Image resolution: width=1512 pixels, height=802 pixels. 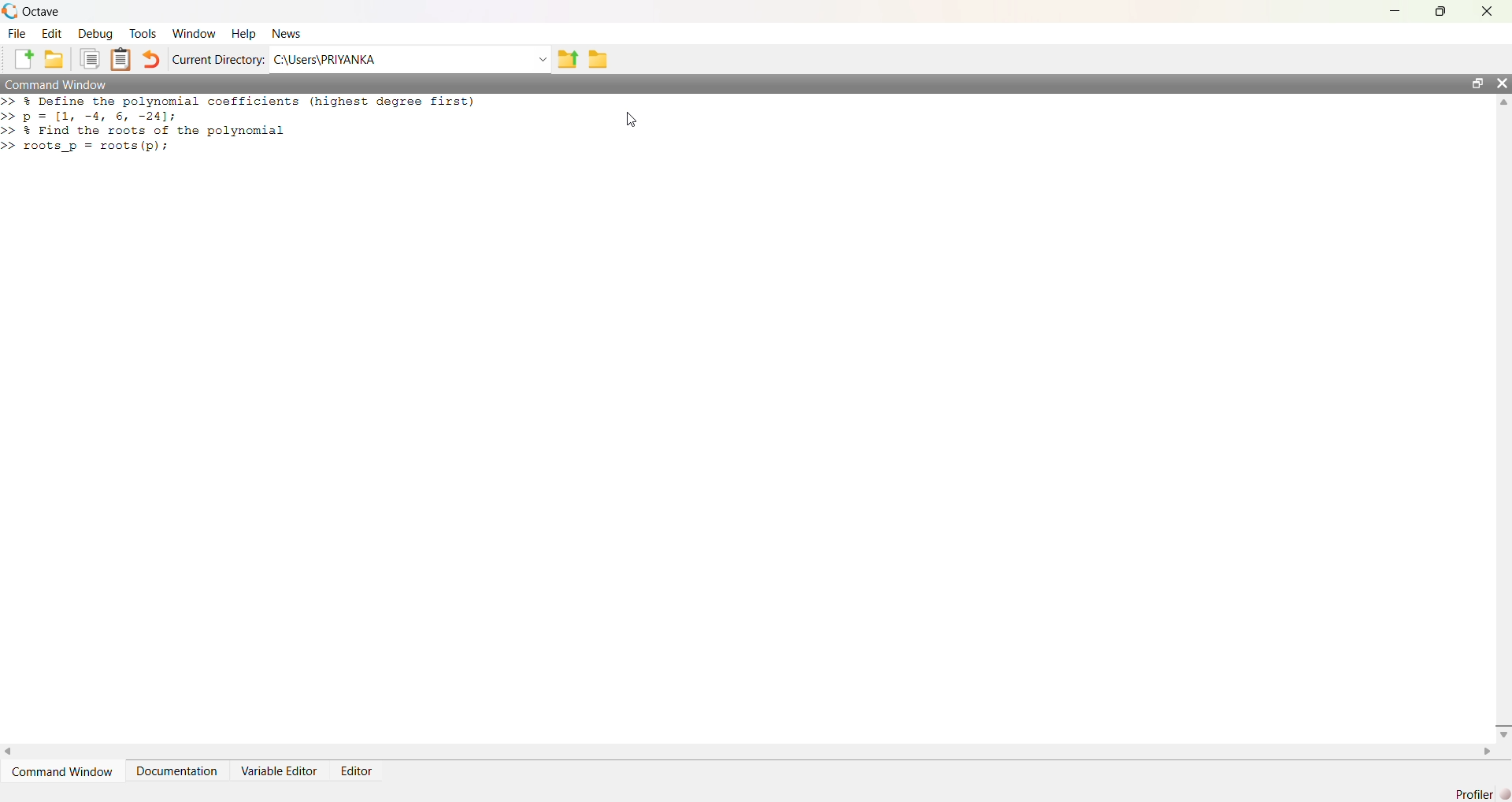 I want to click on Right Scroll, so click(x=1485, y=751).